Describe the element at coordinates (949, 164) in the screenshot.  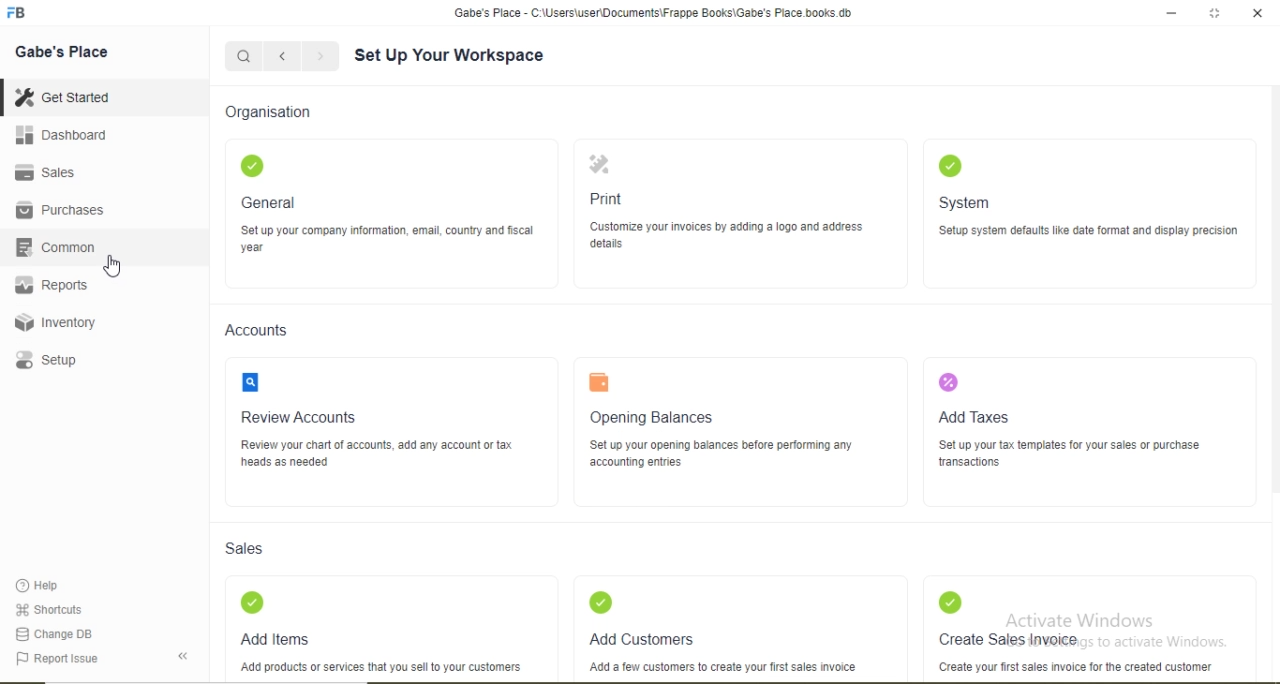
I see `Logo` at that location.